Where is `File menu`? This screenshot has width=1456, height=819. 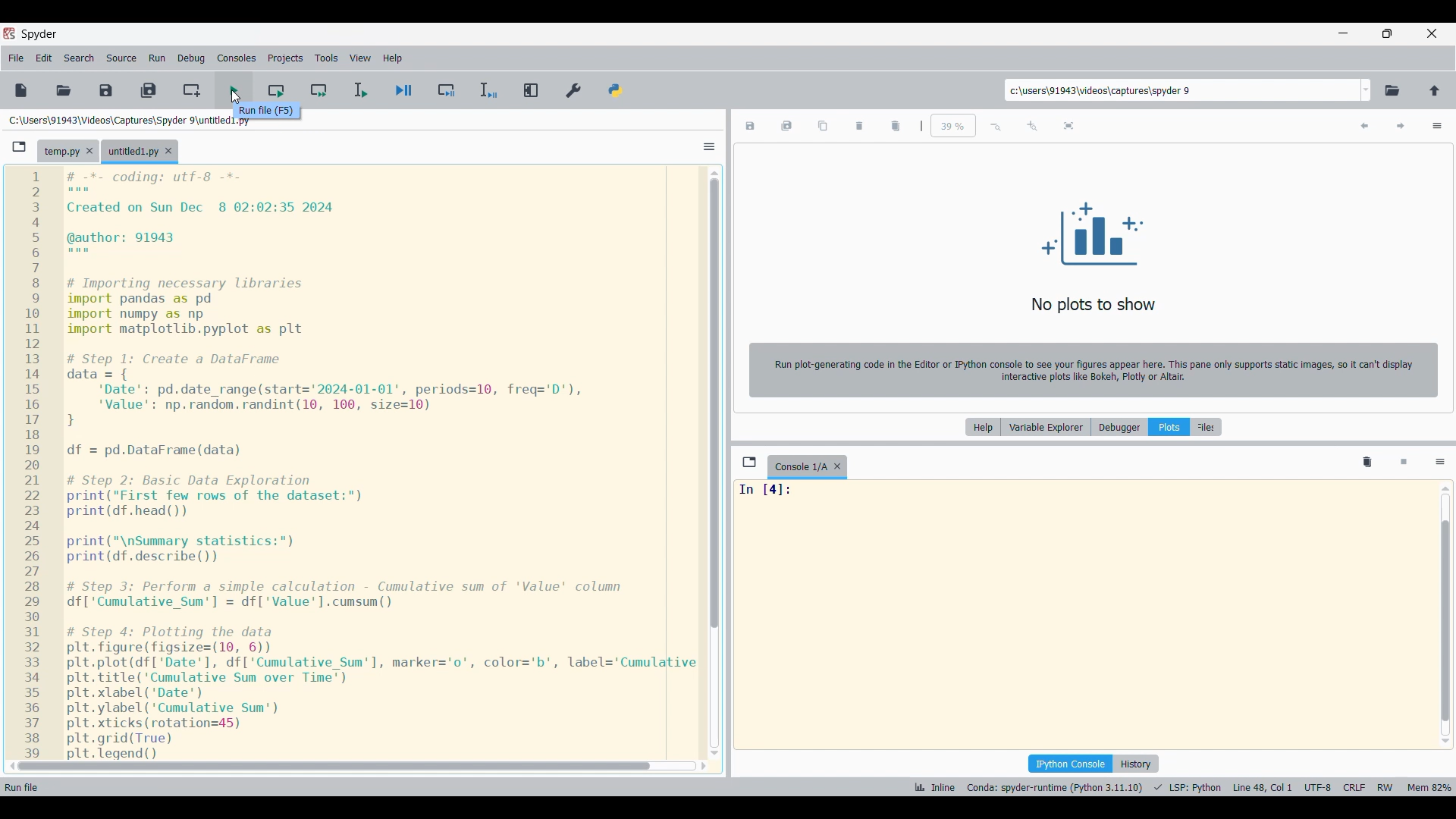 File menu is located at coordinates (17, 58).